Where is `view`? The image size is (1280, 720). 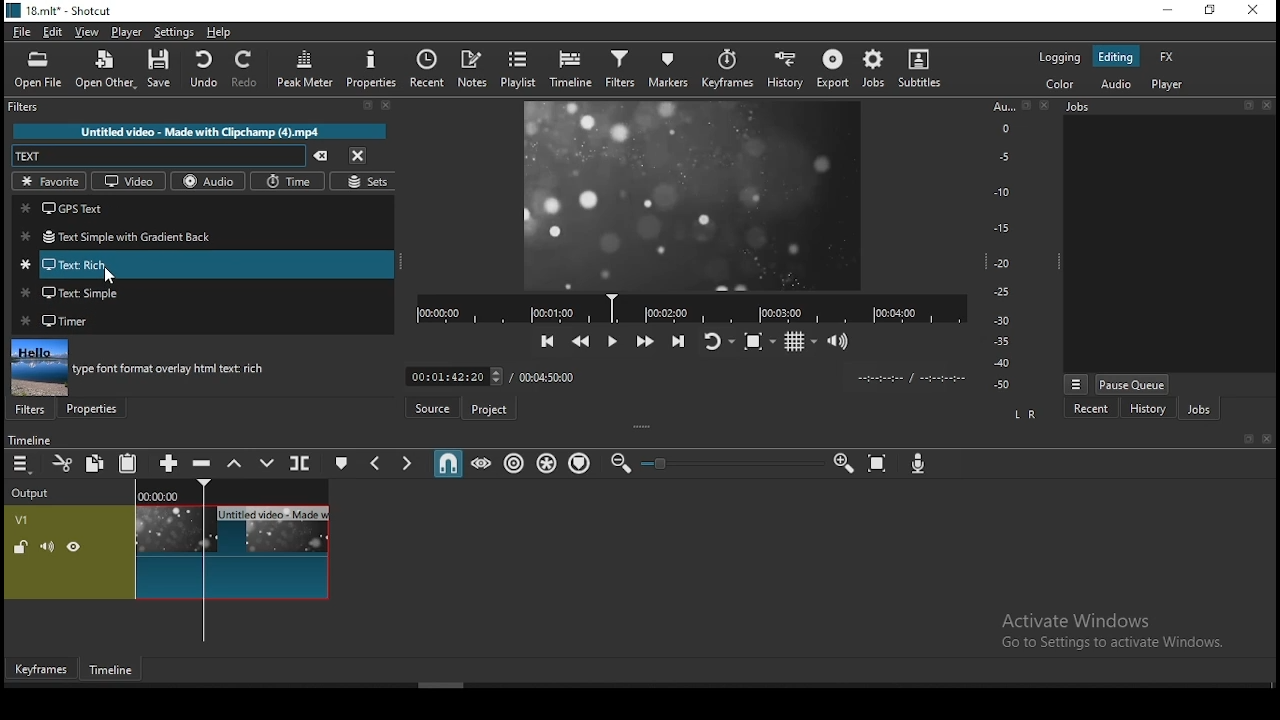
view is located at coordinates (87, 33).